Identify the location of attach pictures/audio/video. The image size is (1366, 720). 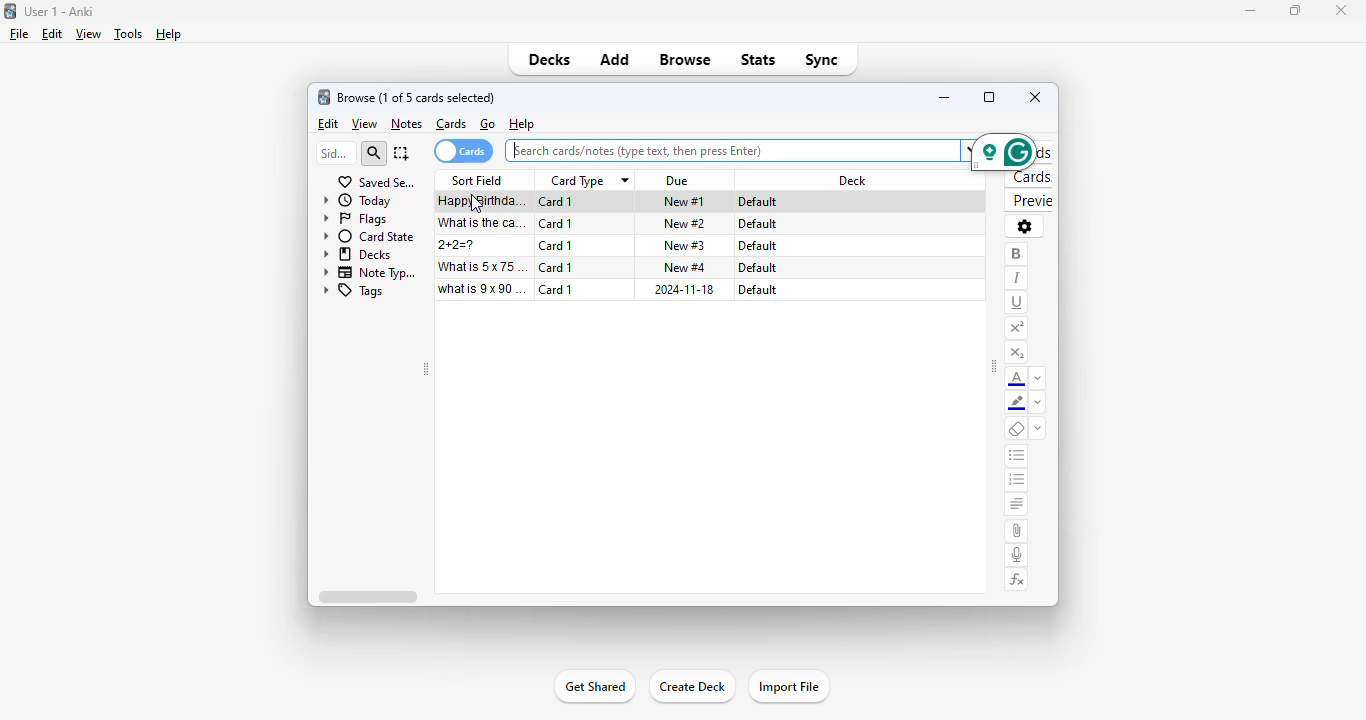
(1017, 530).